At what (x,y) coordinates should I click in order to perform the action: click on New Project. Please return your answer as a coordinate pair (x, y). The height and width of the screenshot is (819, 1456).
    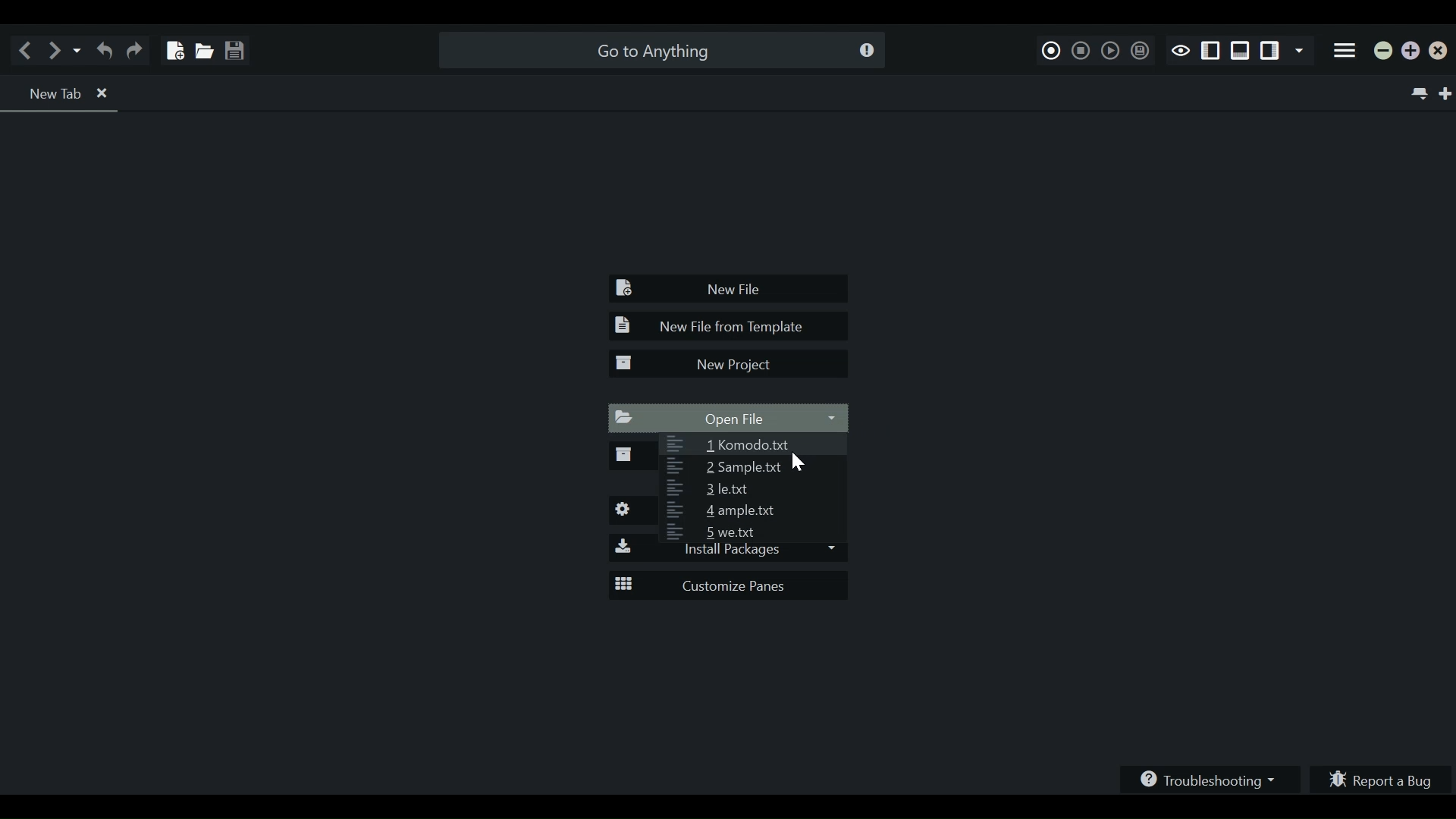
    Looking at the image, I should click on (726, 364).